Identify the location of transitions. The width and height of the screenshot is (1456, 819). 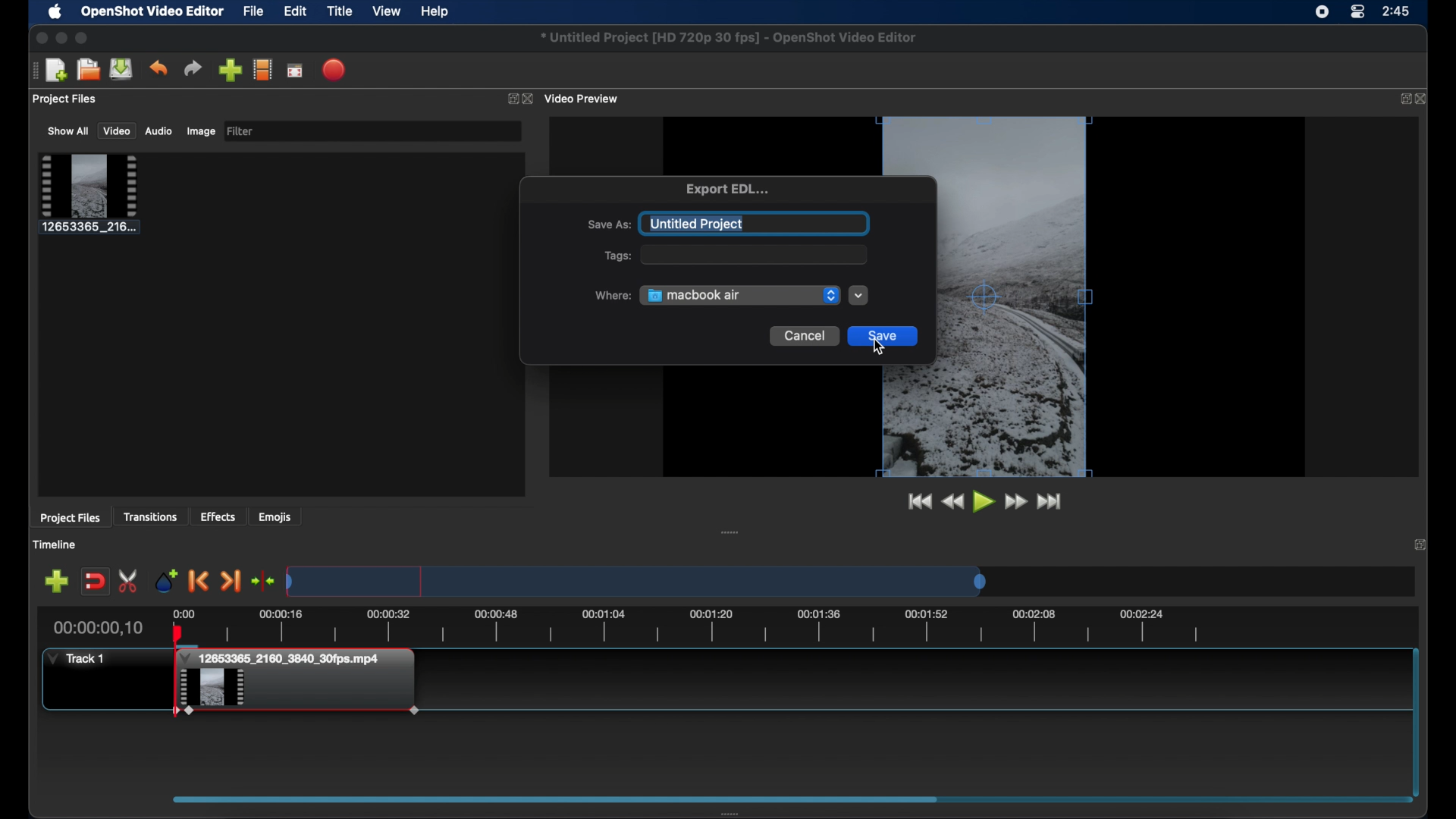
(152, 516).